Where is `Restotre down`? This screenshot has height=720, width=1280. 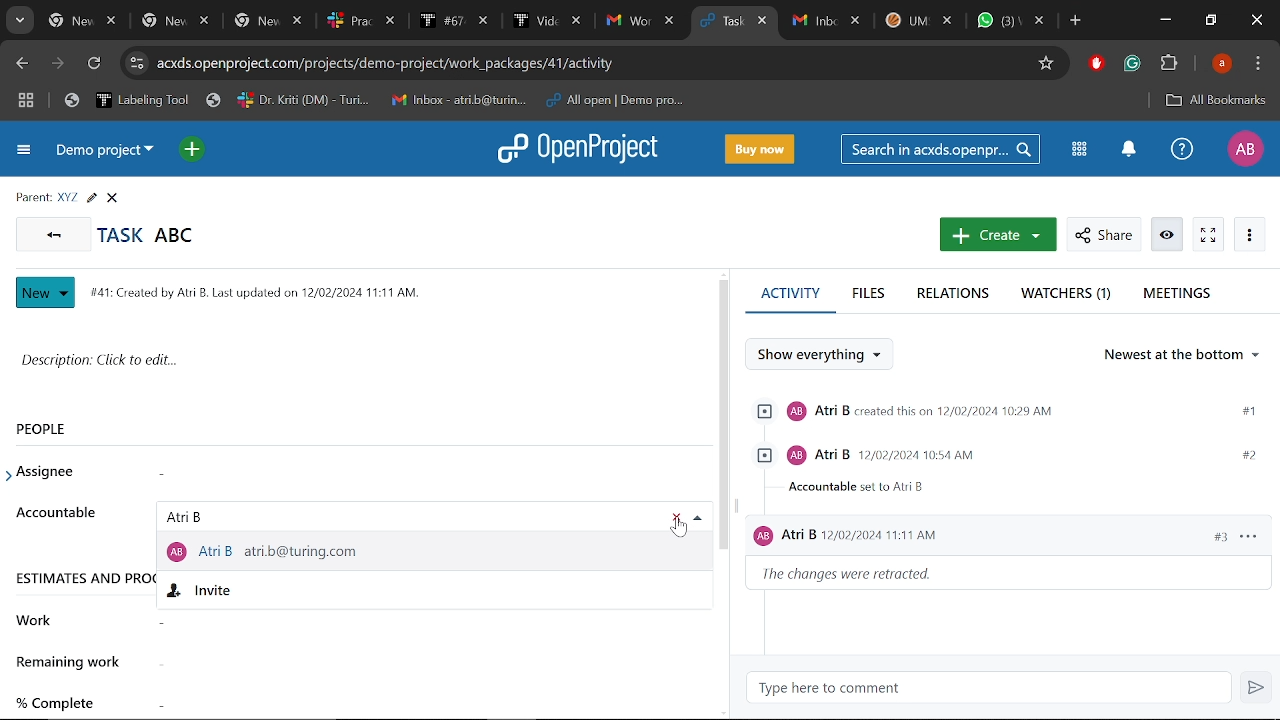
Restotre down is located at coordinates (1210, 20).